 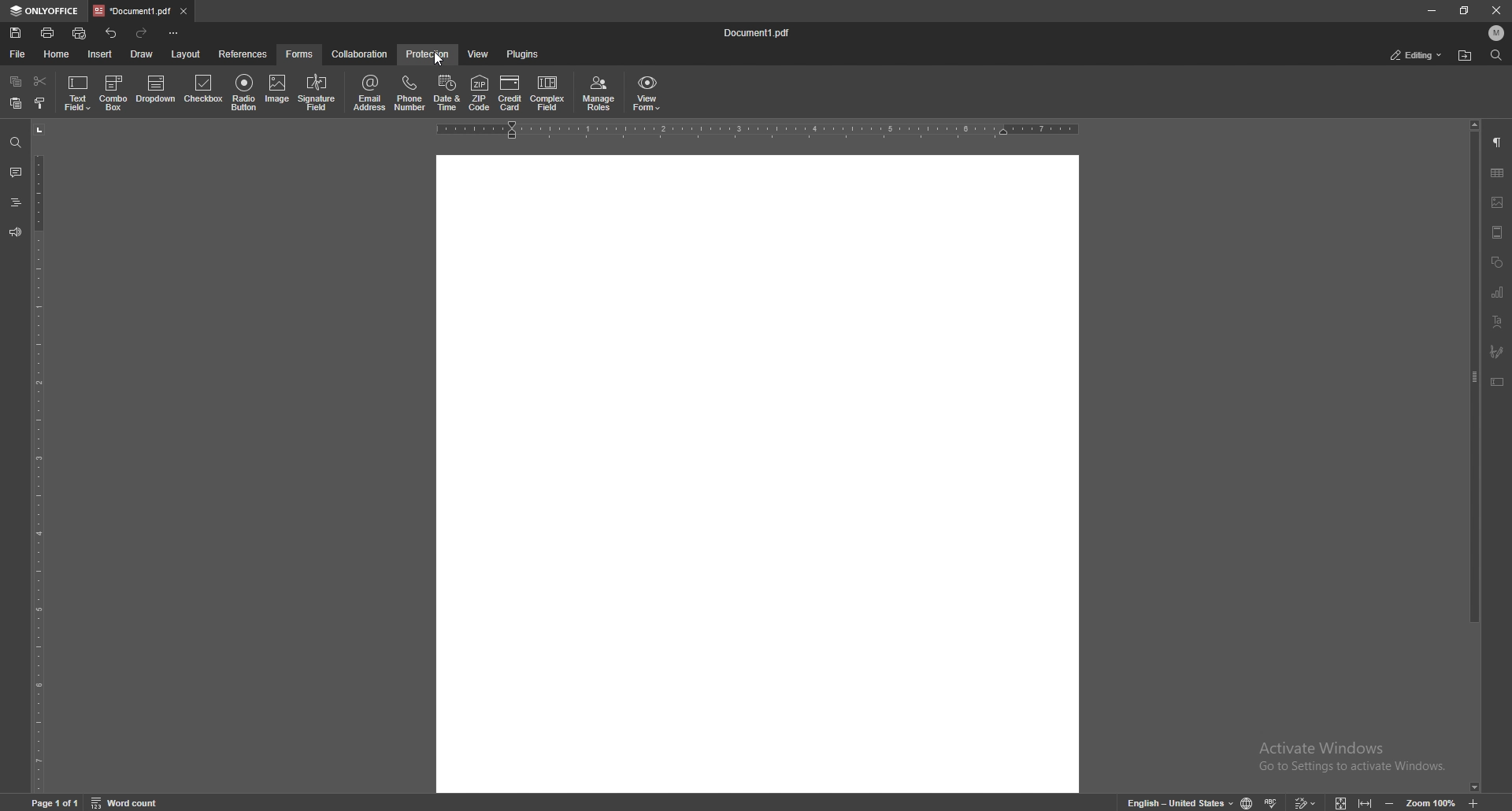 I want to click on signature, so click(x=1497, y=352).